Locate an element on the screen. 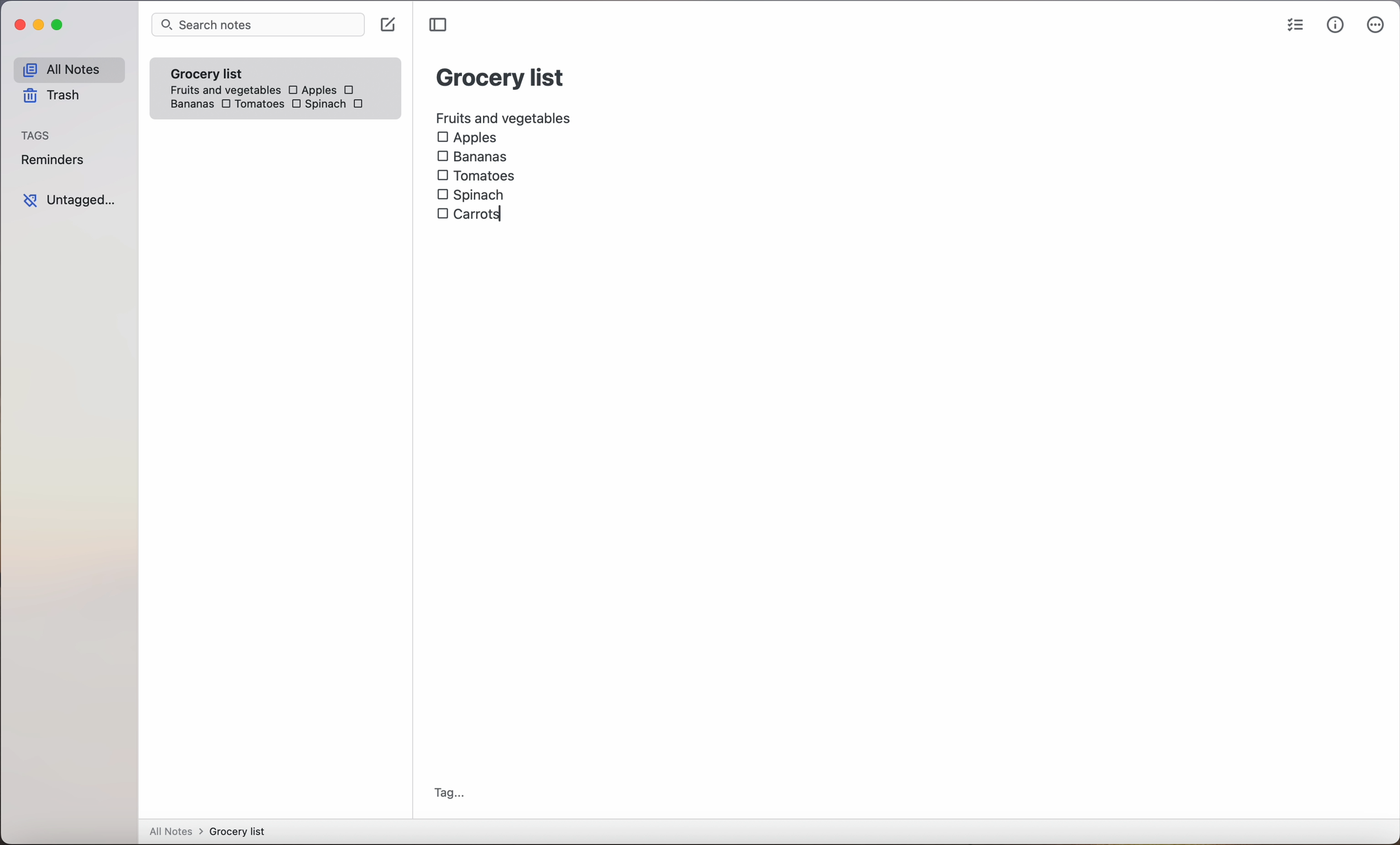 This screenshot has width=1400, height=845. carrots is located at coordinates (361, 104).